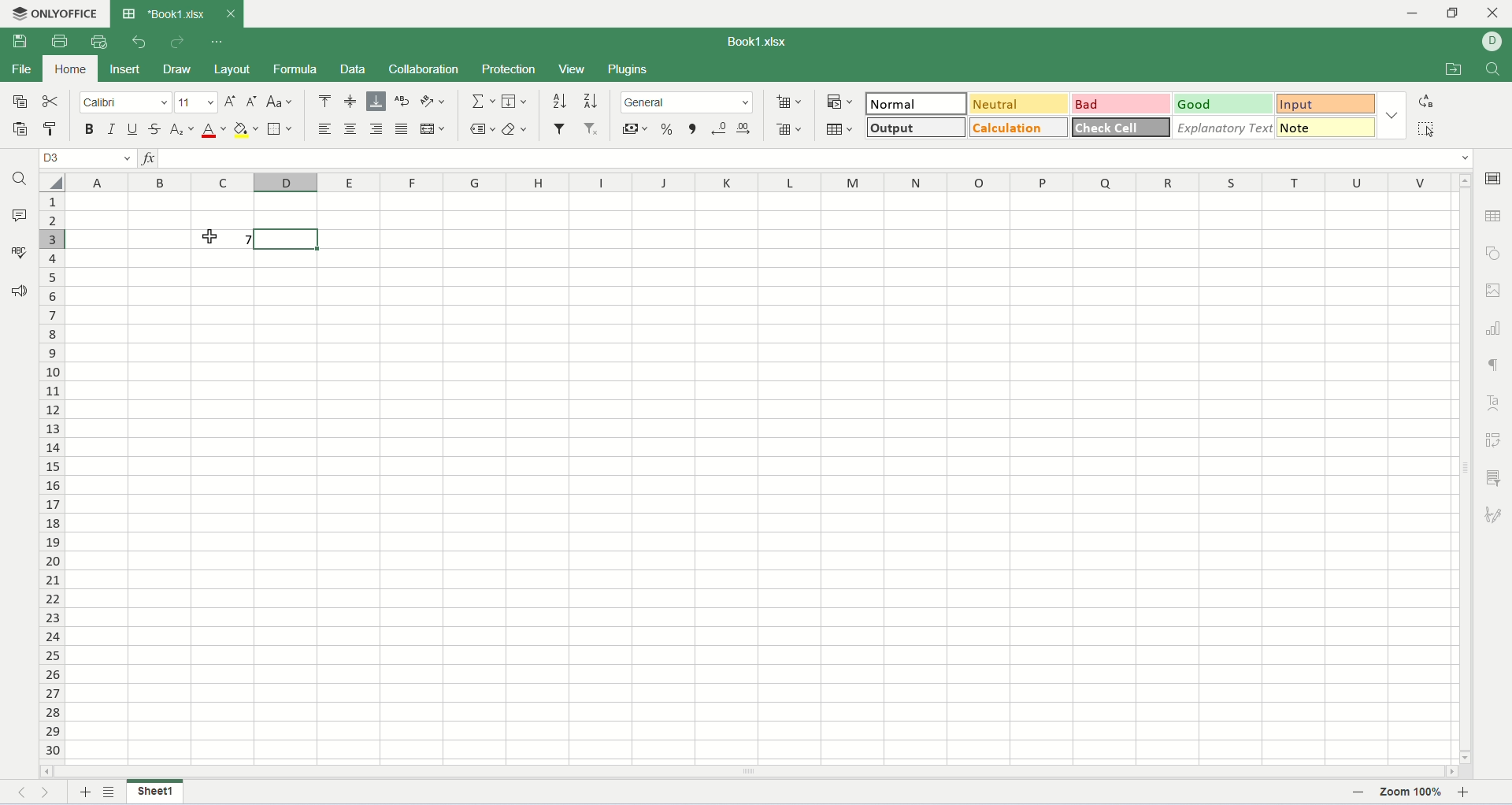  I want to click on sort ascending, so click(561, 101).